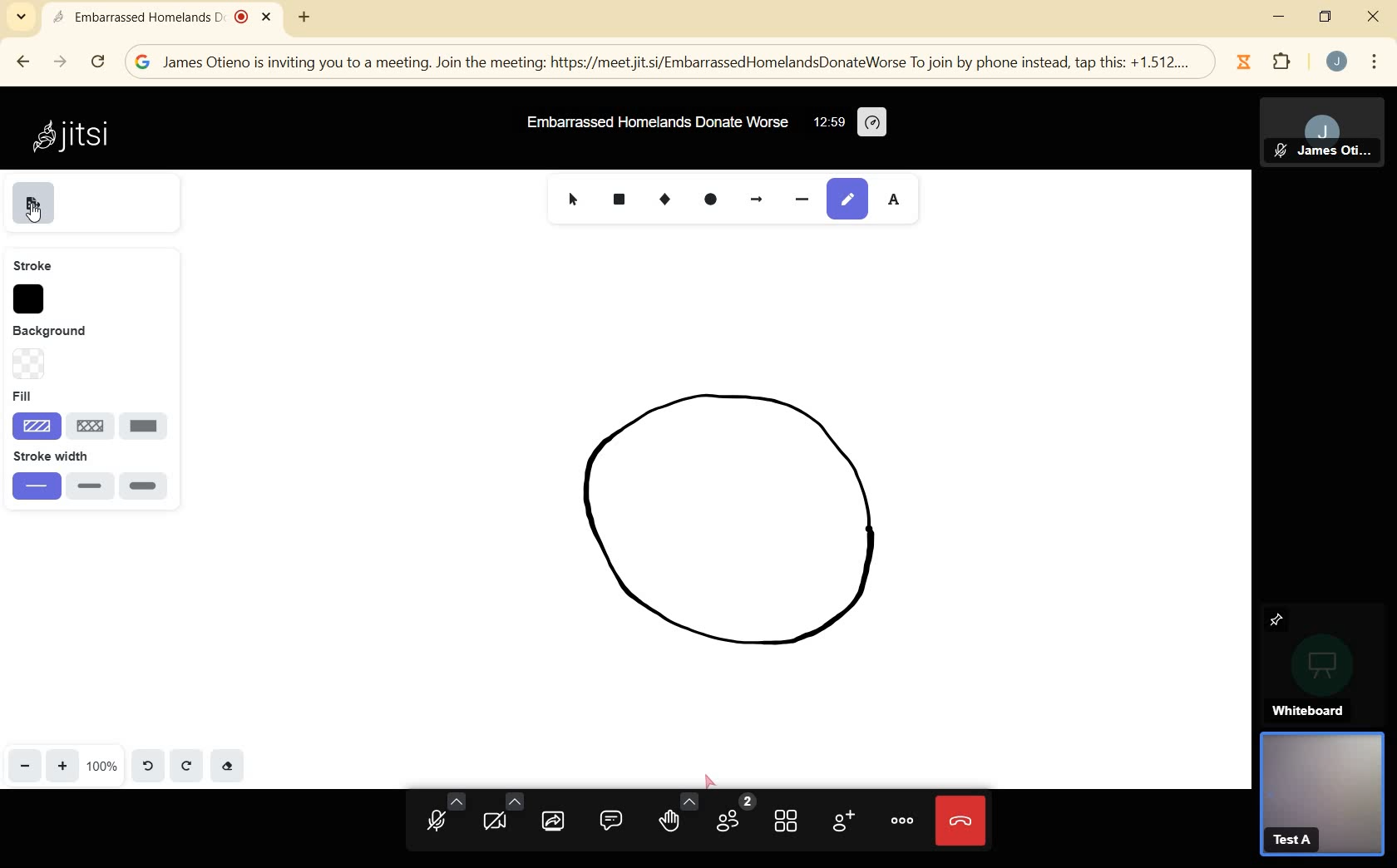 The height and width of the screenshot is (868, 1397). What do you see at coordinates (1374, 60) in the screenshot?
I see `menu` at bounding box center [1374, 60].